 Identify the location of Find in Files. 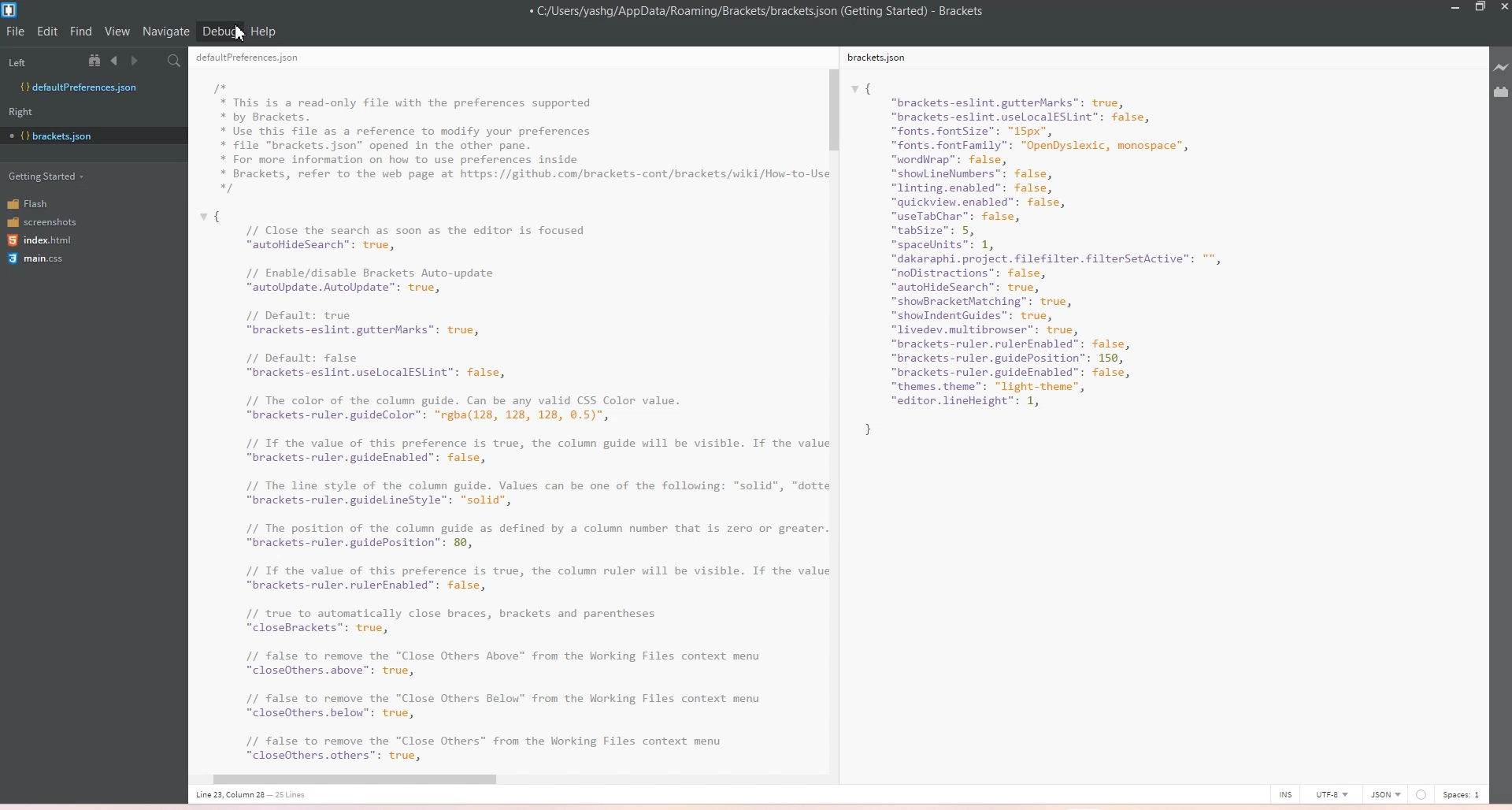
(176, 61).